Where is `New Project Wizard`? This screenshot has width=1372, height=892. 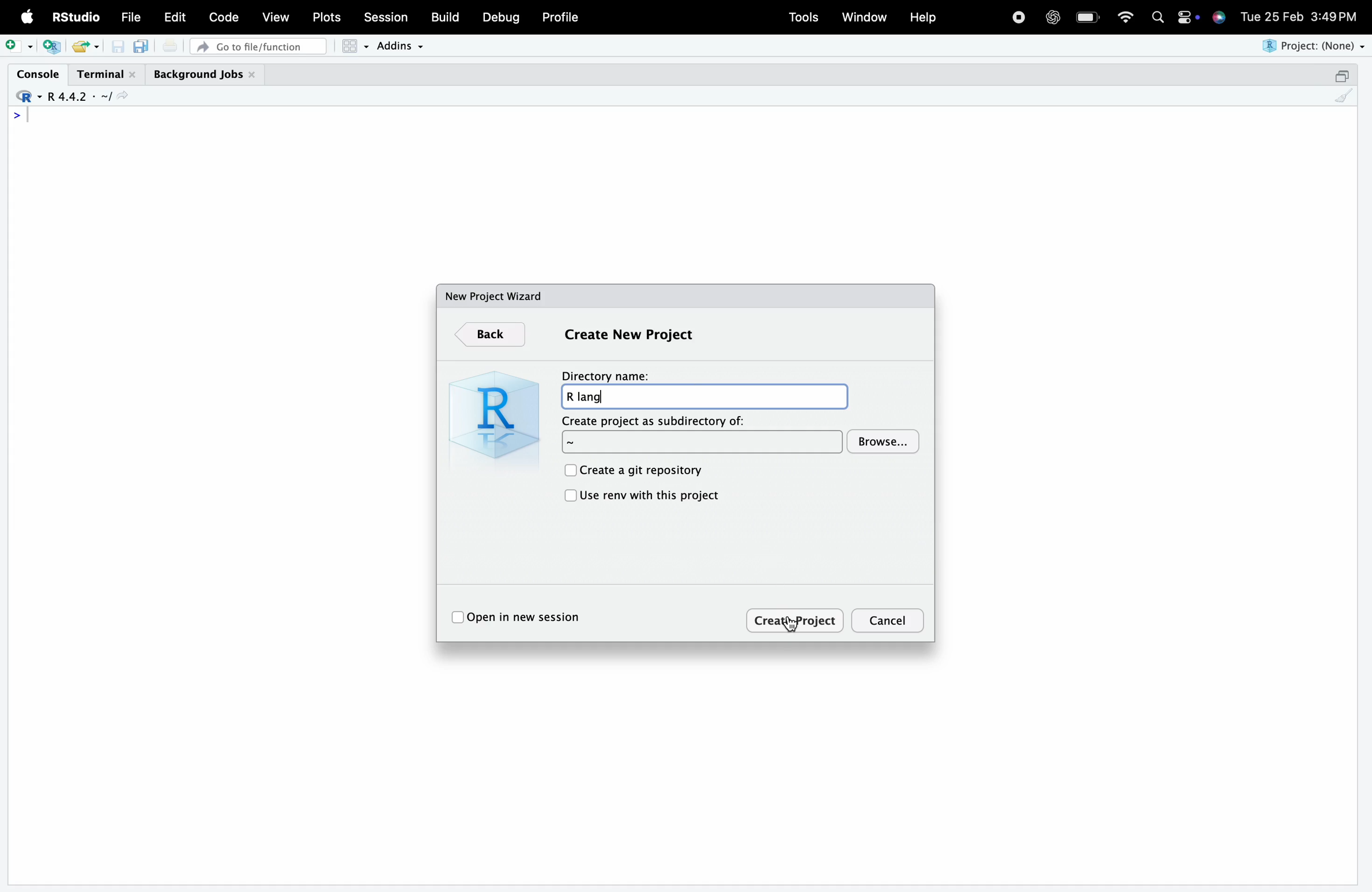
New Project Wizard is located at coordinates (495, 296).